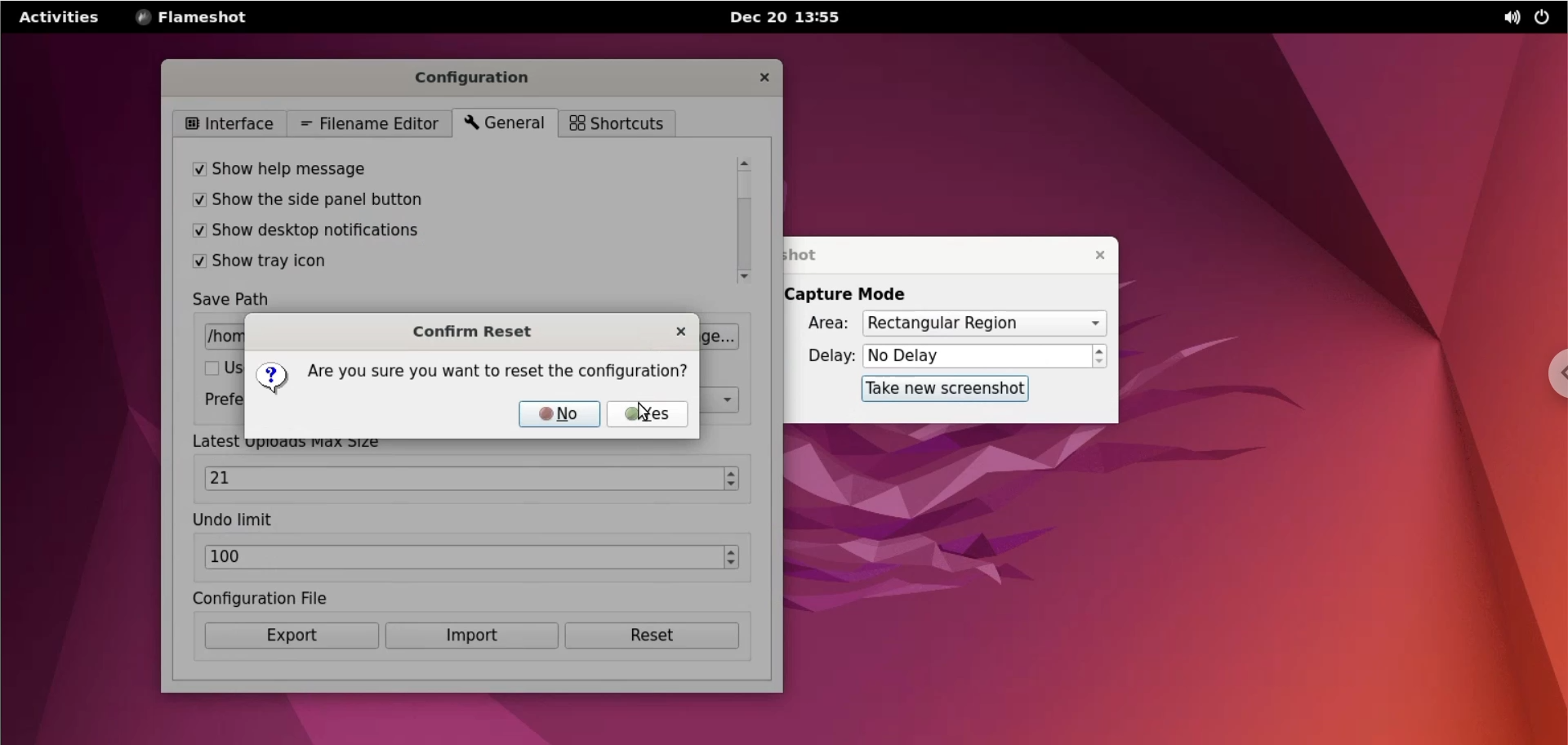 The width and height of the screenshot is (1568, 745). I want to click on interface, so click(228, 123).